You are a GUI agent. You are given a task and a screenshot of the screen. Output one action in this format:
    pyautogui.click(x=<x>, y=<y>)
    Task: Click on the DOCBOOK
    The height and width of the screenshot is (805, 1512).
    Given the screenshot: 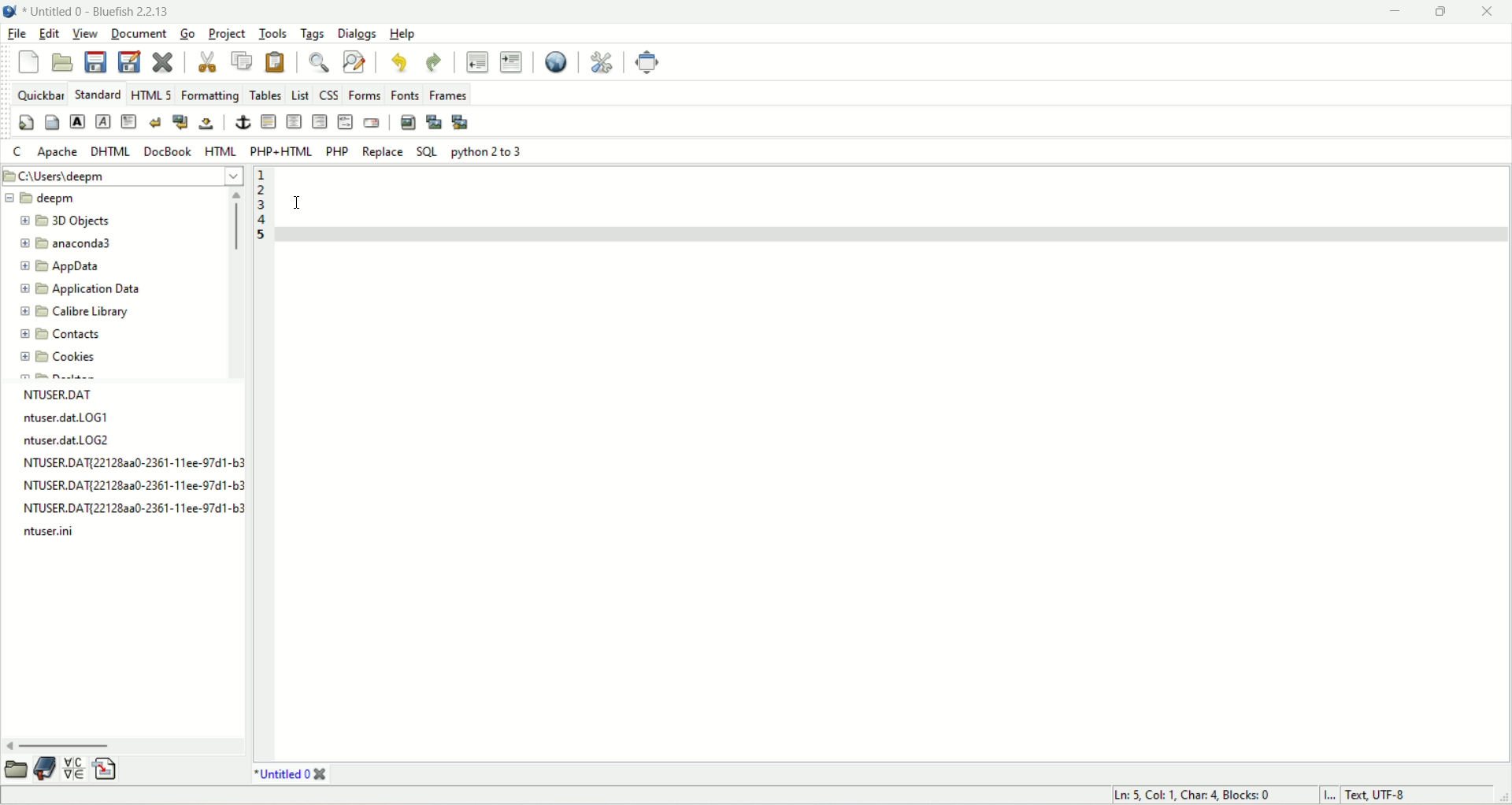 What is the action you would take?
    pyautogui.click(x=171, y=151)
    